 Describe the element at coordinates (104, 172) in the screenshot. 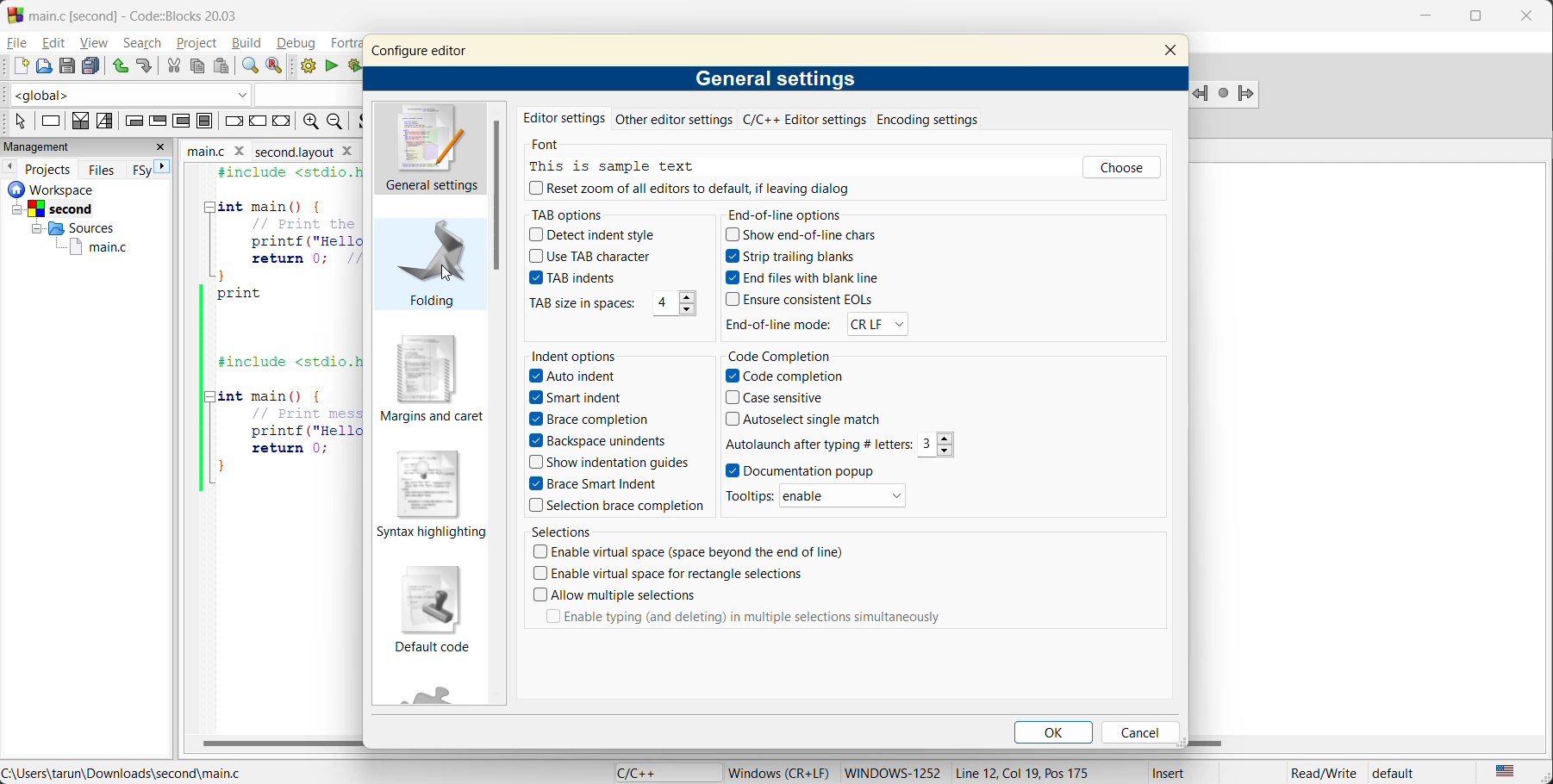

I see `files` at that location.